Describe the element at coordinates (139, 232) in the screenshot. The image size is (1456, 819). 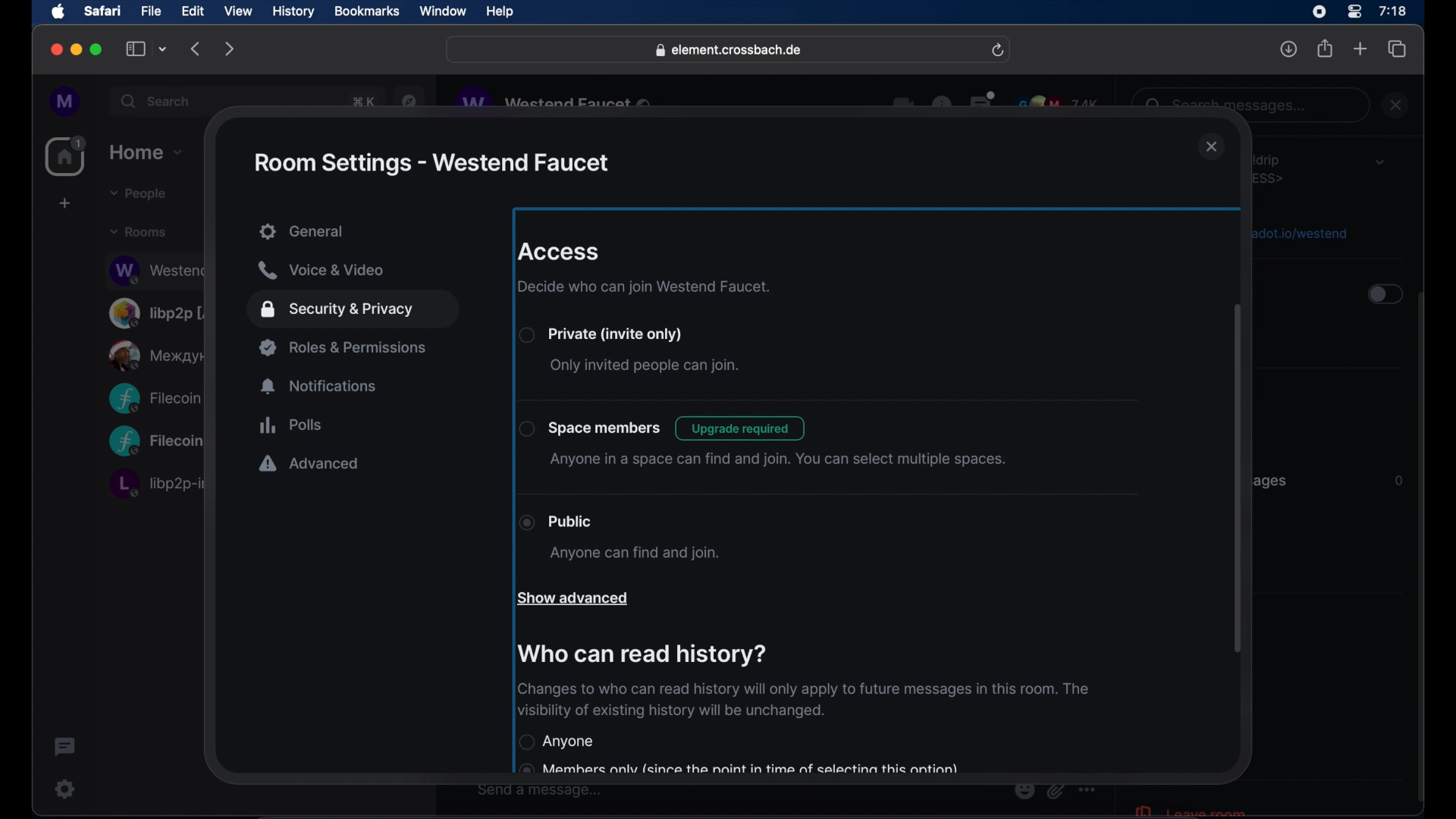
I see `rooms dropdown` at that location.